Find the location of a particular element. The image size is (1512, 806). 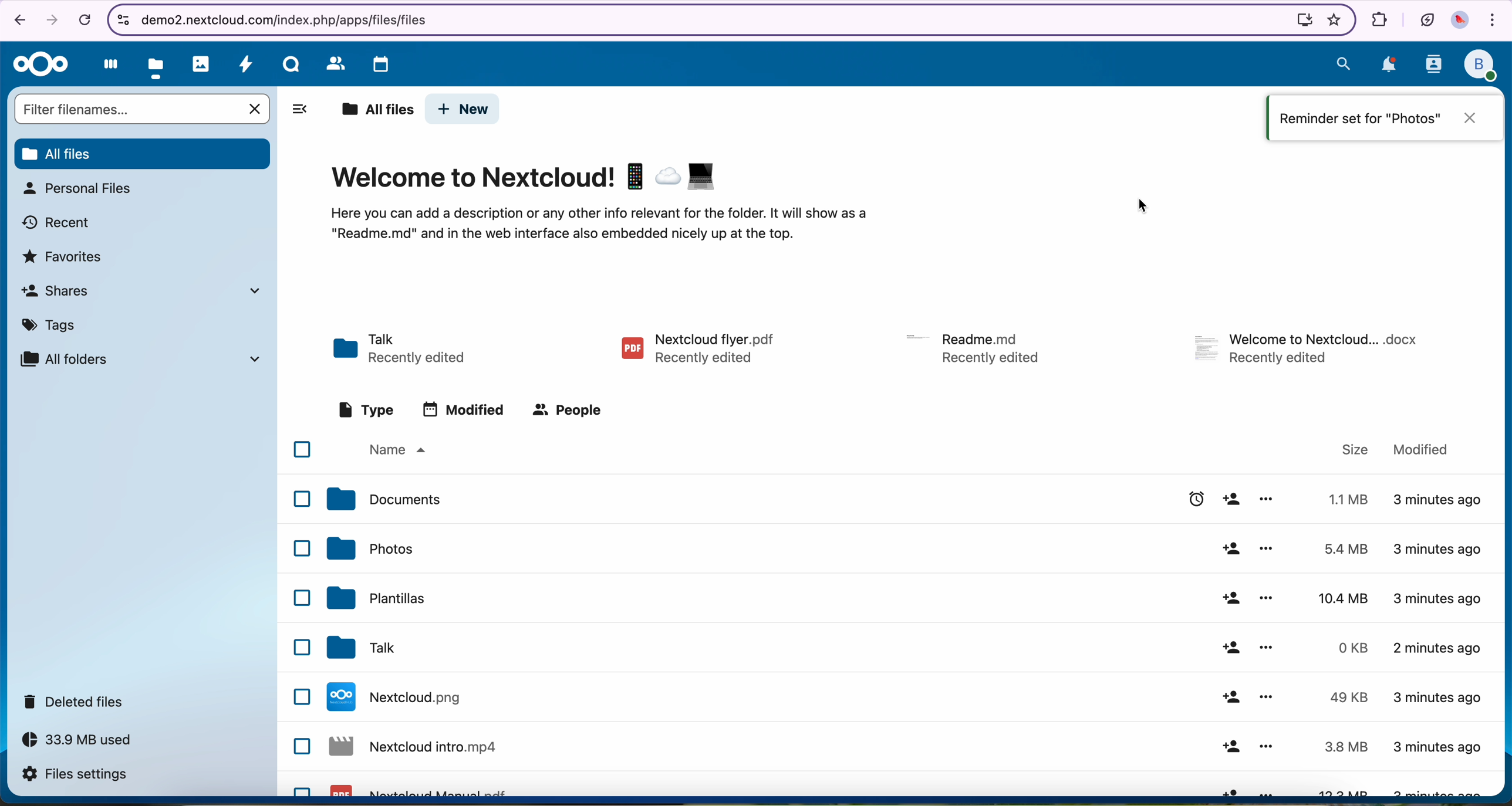

activity is located at coordinates (247, 64).